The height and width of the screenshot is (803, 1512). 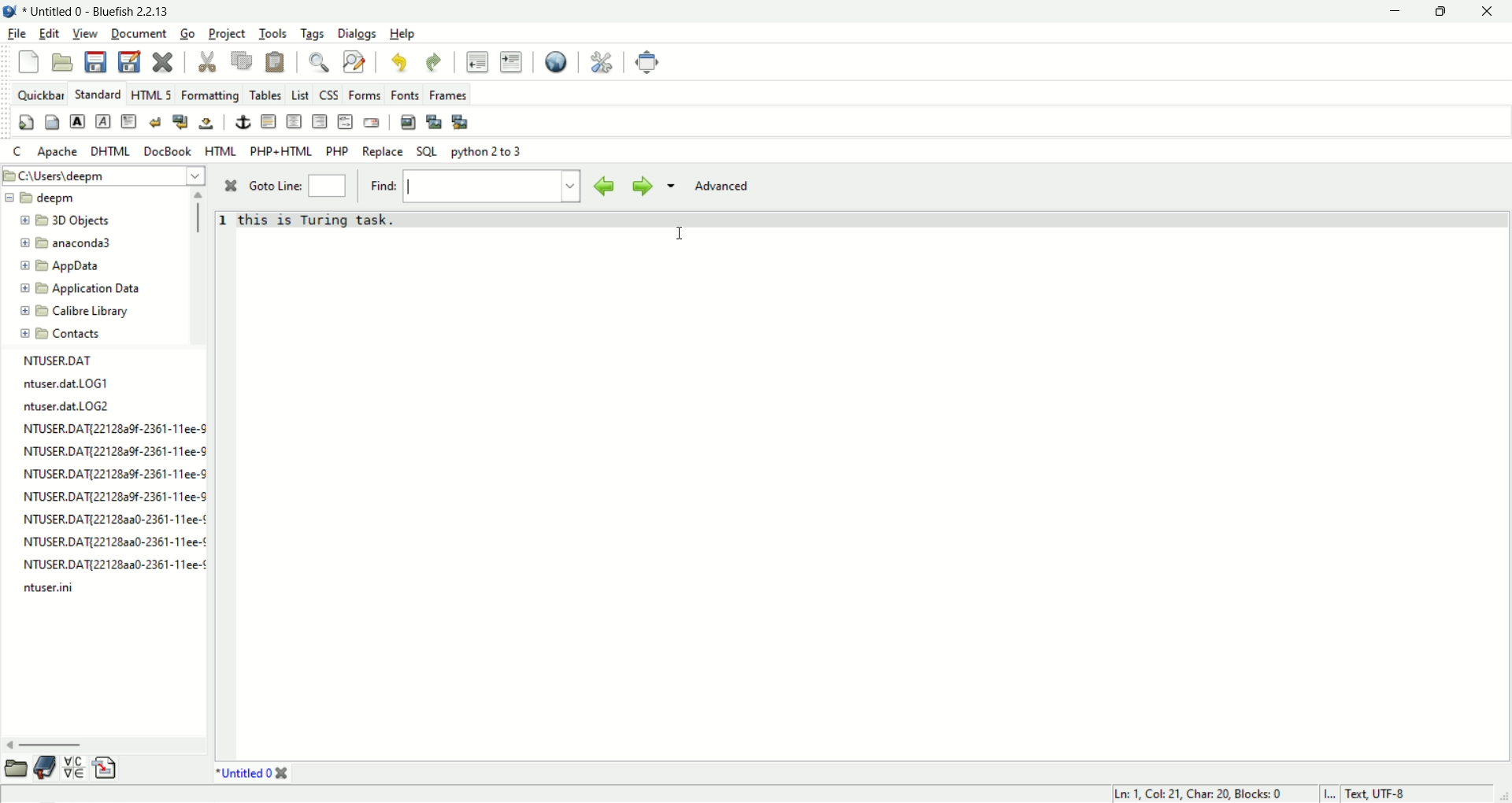 What do you see at coordinates (605, 187) in the screenshot?
I see `find previous` at bounding box center [605, 187].